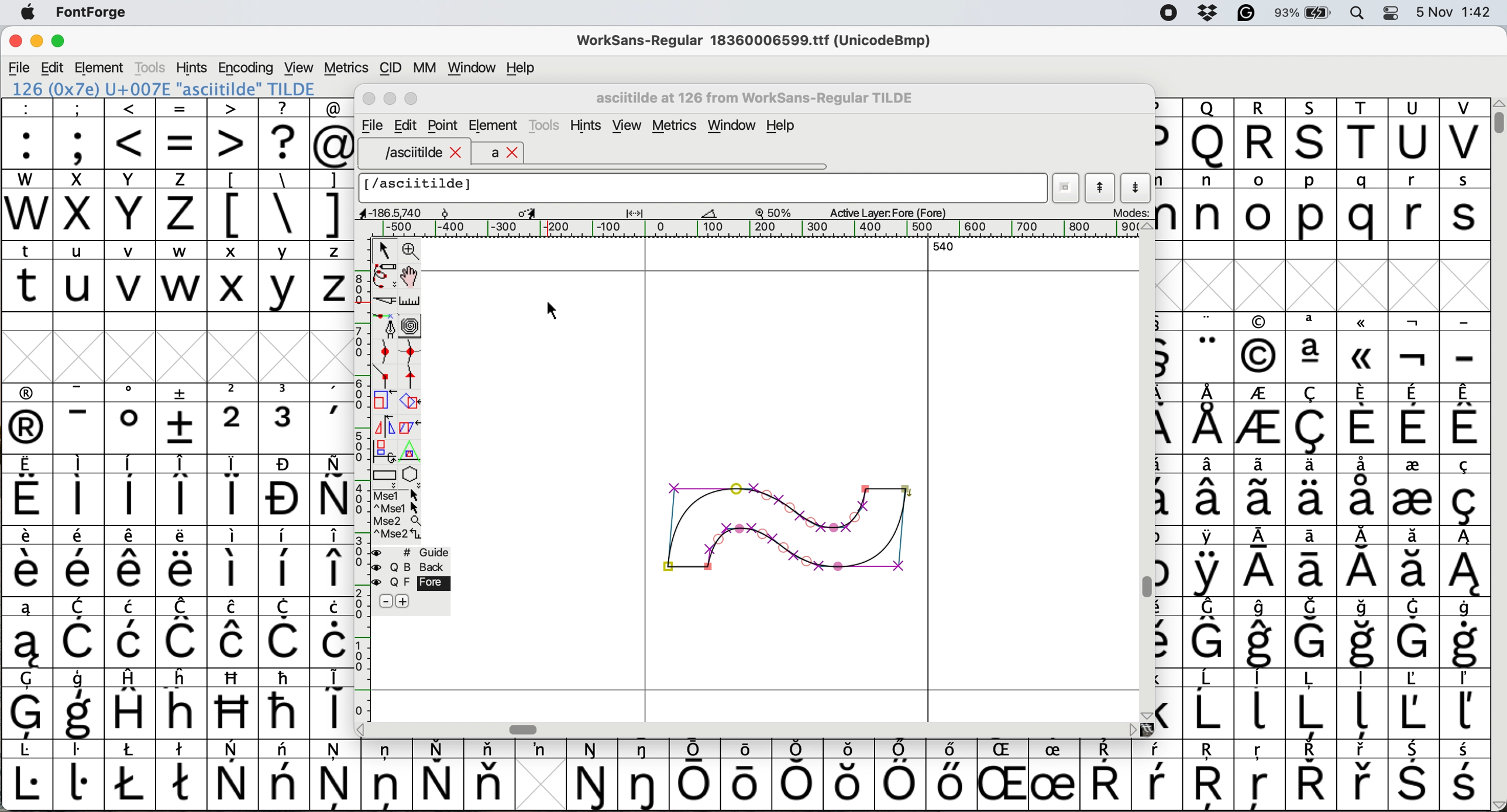 The image size is (1507, 812). I want to click on symbol, so click(80, 705).